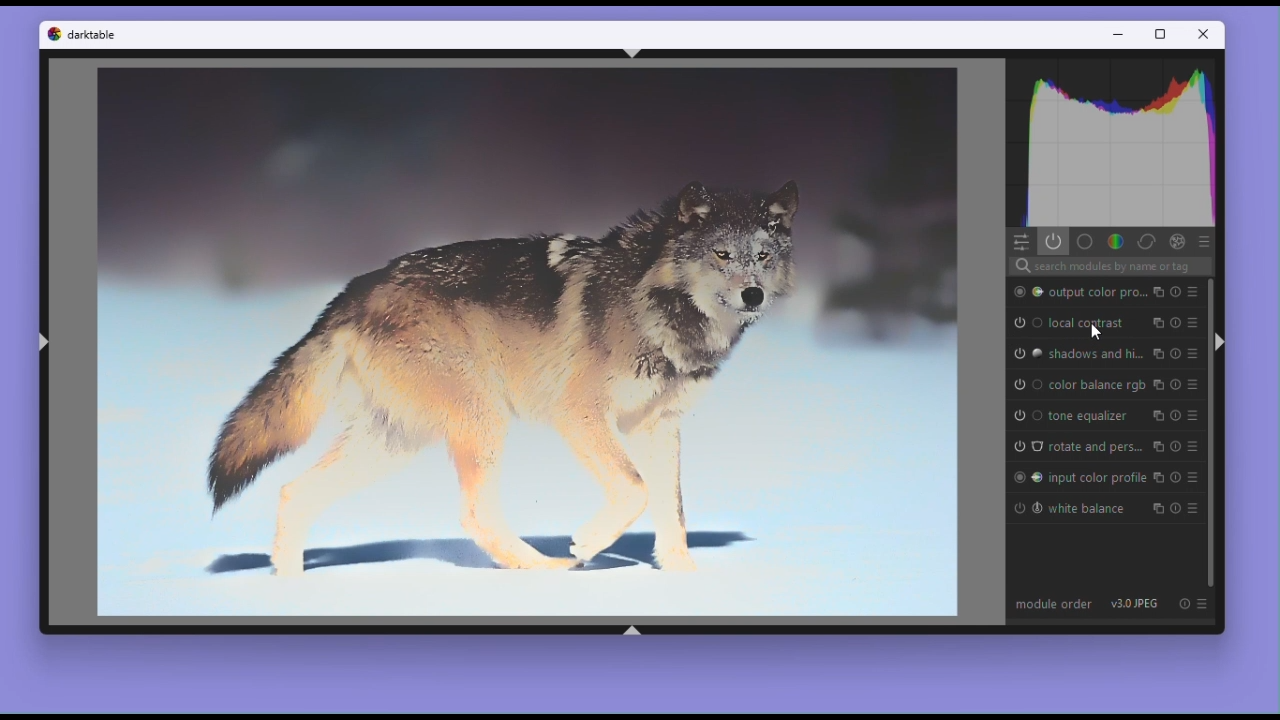 This screenshot has width=1280, height=720. What do you see at coordinates (1095, 290) in the screenshot?
I see `Output color profile` at bounding box center [1095, 290].